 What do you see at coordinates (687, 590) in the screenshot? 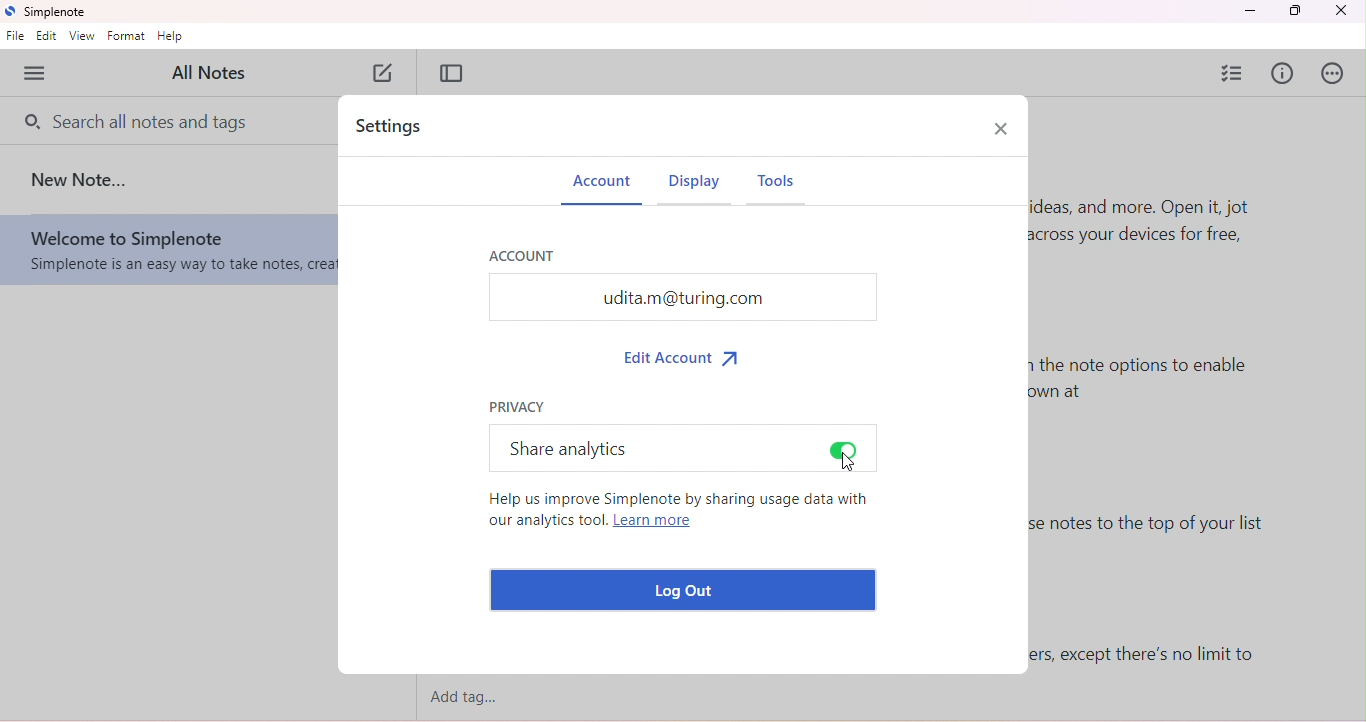
I see `log out` at bounding box center [687, 590].